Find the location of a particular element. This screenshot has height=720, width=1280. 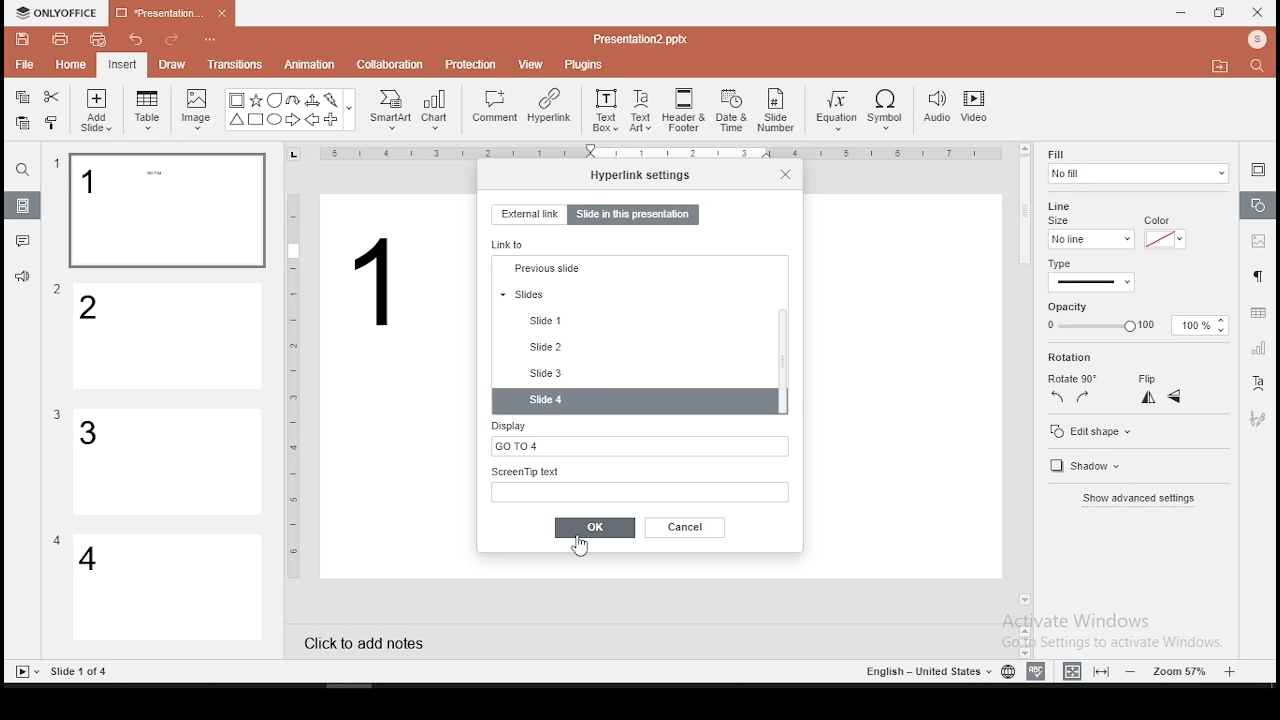

insert is located at coordinates (121, 64).